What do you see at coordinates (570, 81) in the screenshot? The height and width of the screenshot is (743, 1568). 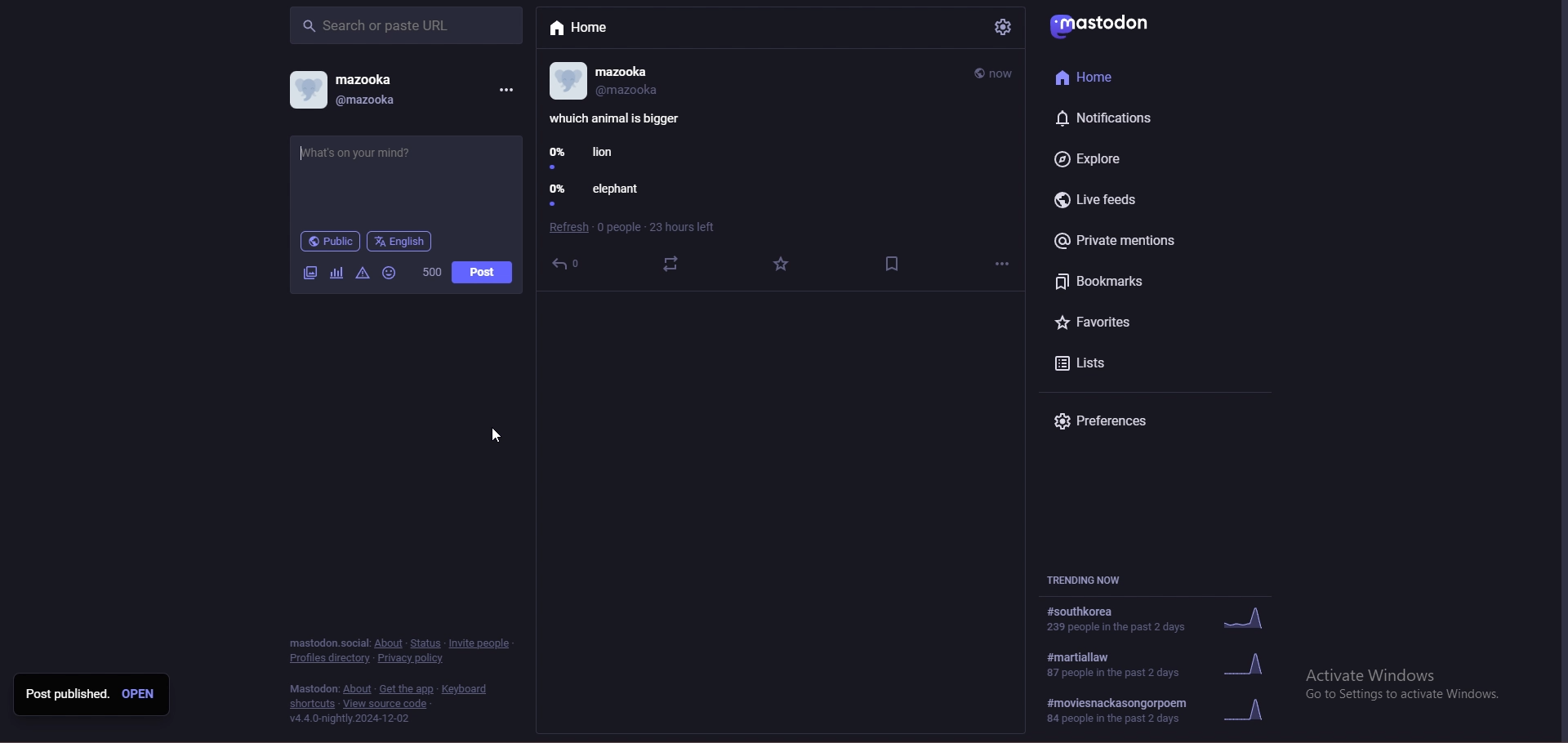 I see `profile` at bounding box center [570, 81].